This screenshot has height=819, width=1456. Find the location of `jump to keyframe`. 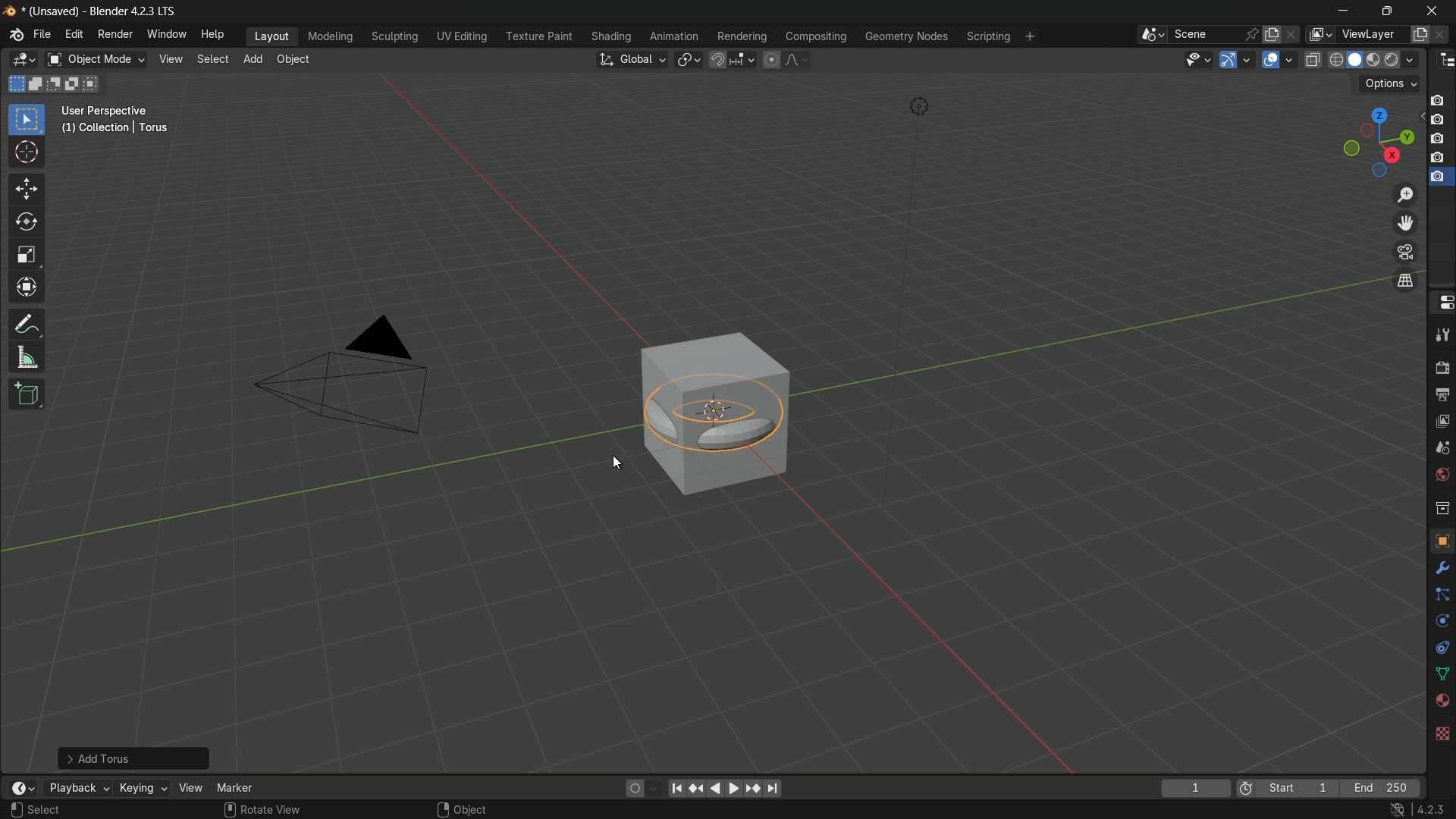

jump to keyframe is located at coordinates (695, 789).